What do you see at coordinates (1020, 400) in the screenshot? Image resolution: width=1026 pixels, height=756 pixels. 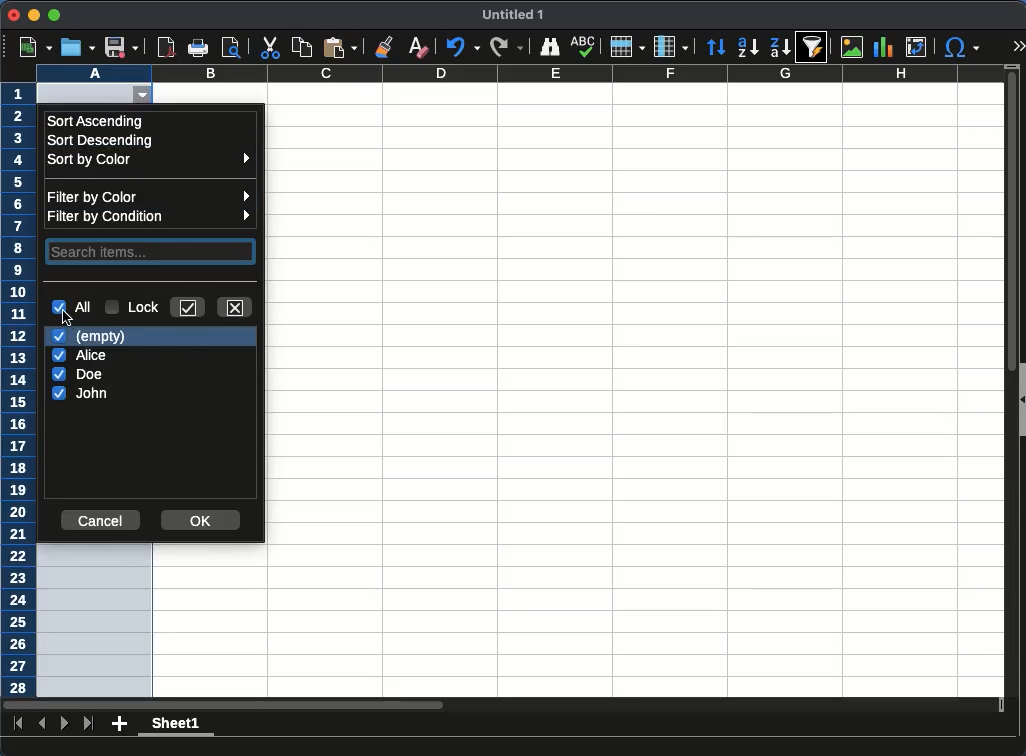 I see `collapse` at bounding box center [1020, 400].